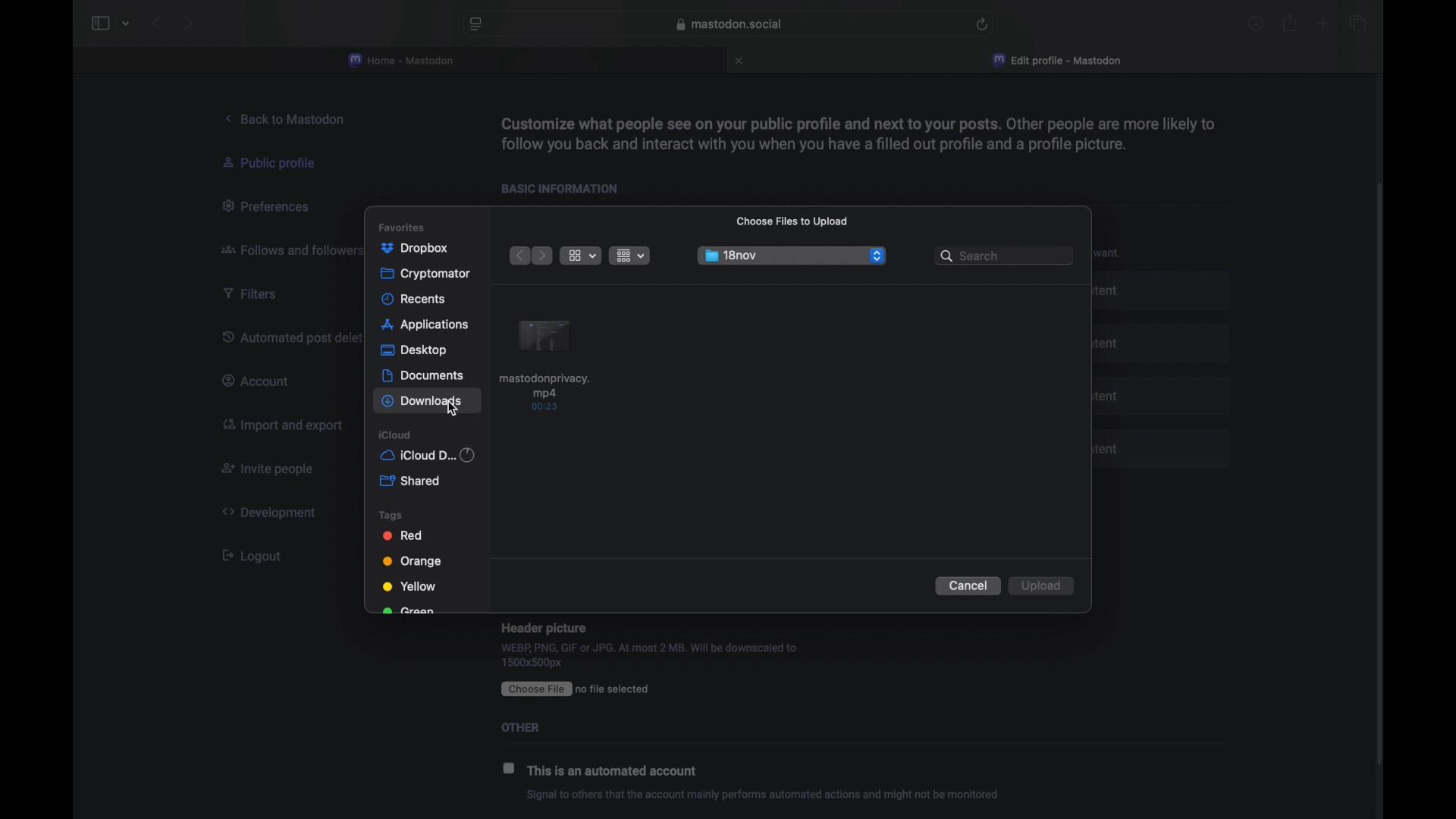 The width and height of the screenshot is (1456, 819). I want to click on account, so click(260, 381).